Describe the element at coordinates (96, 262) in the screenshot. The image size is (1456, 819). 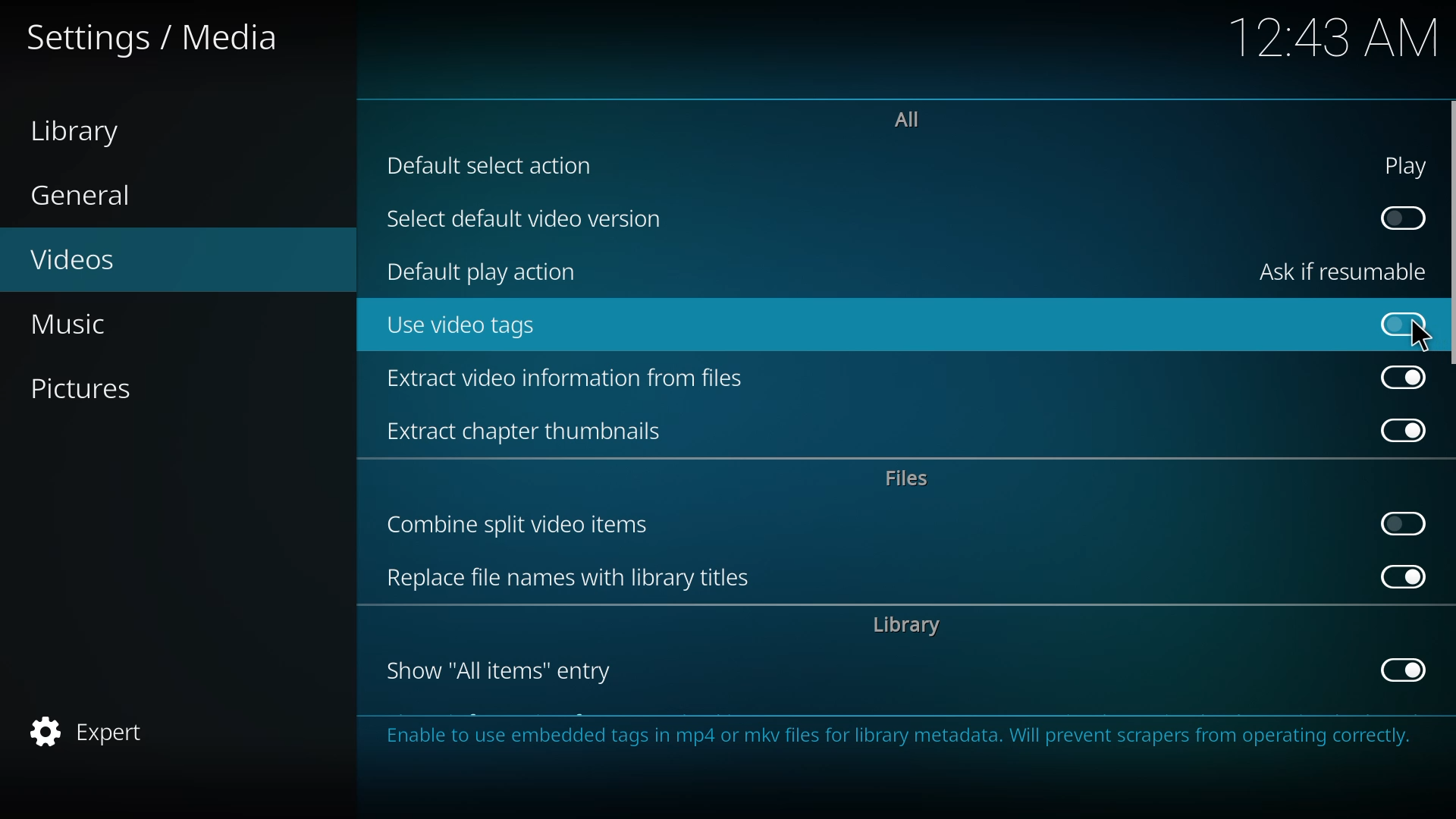
I see `videos` at that location.